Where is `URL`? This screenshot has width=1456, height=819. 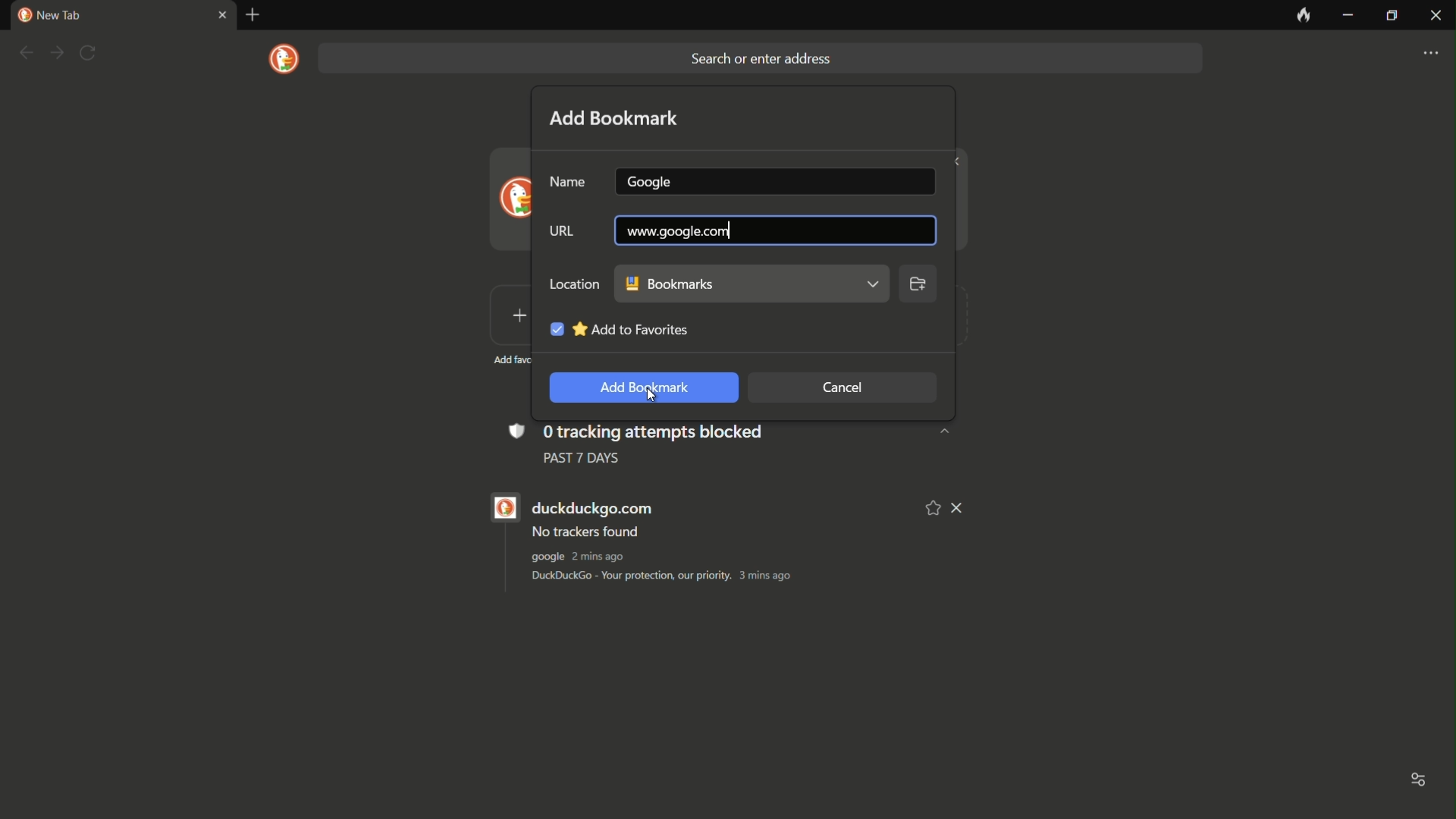
URL is located at coordinates (559, 233).